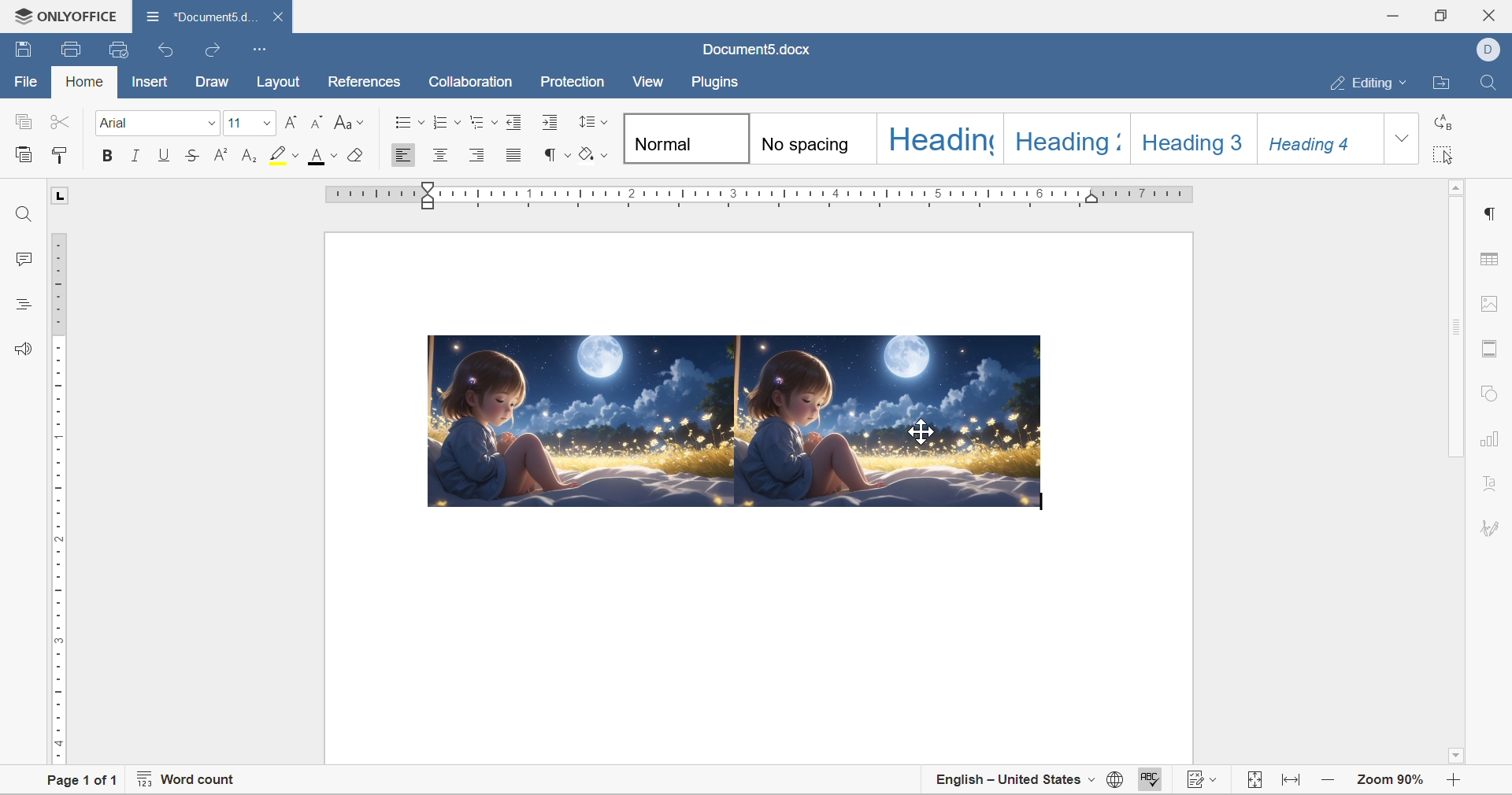 The width and height of the screenshot is (1512, 795). Describe the element at coordinates (118, 122) in the screenshot. I see `font` at that location.